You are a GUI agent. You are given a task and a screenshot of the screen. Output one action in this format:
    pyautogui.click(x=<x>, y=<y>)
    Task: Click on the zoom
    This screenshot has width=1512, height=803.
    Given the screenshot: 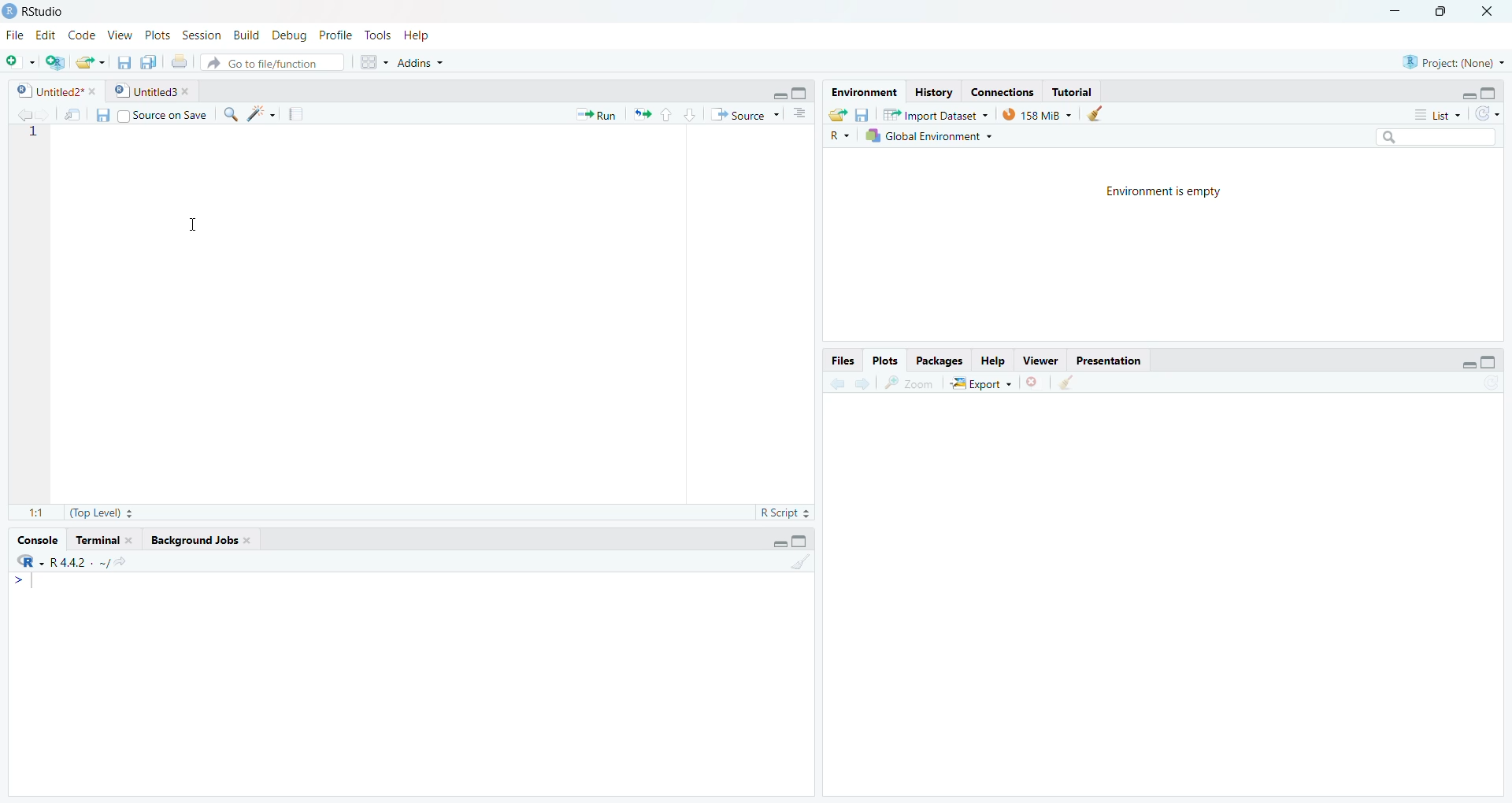 What is the action you would take?
    pyautogui.click(x=914, y=380)
    